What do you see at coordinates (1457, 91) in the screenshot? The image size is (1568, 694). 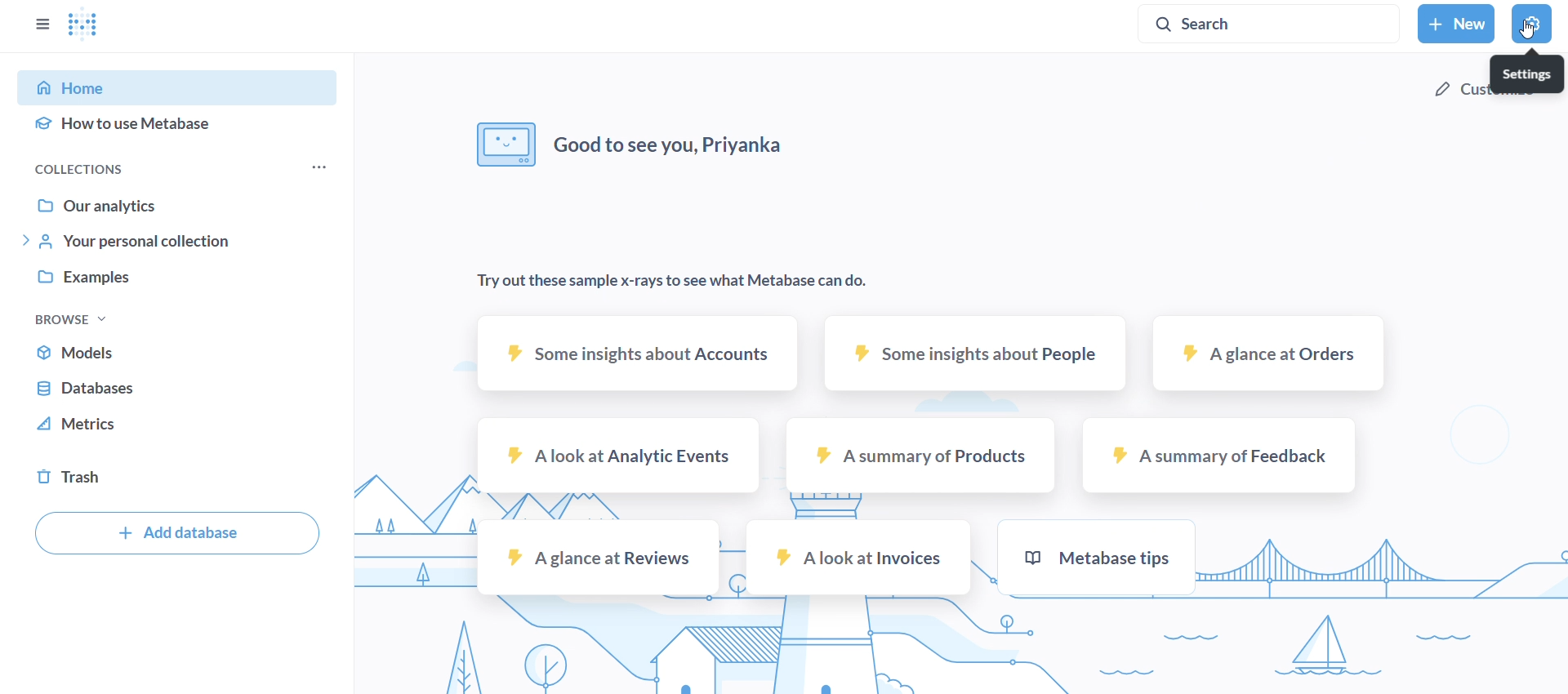 I see `customize` at bounding box center [1457, 91].